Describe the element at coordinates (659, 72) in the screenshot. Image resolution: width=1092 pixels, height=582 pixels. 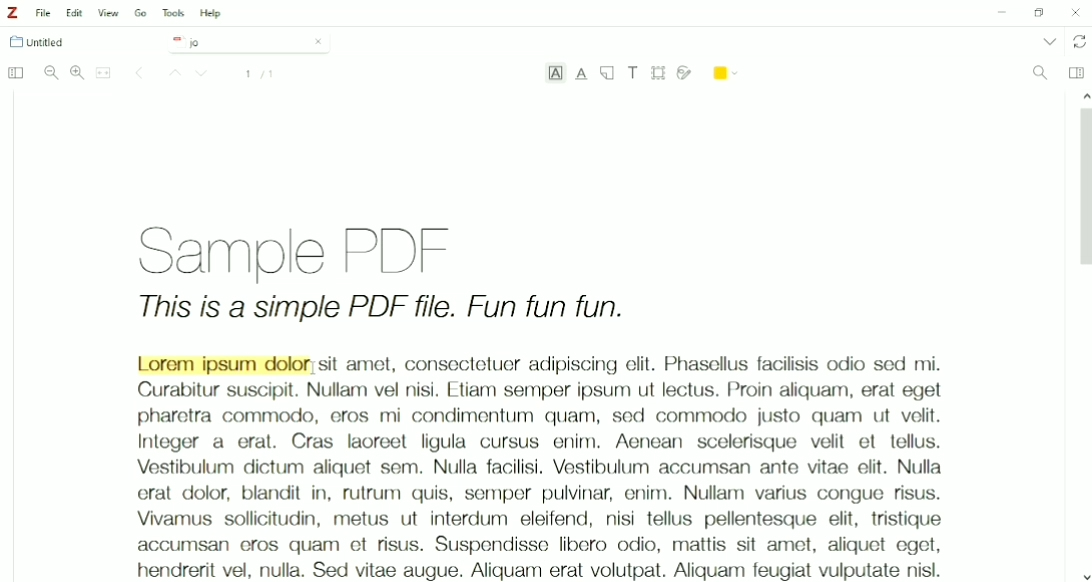
I see `Select Area` at that location.